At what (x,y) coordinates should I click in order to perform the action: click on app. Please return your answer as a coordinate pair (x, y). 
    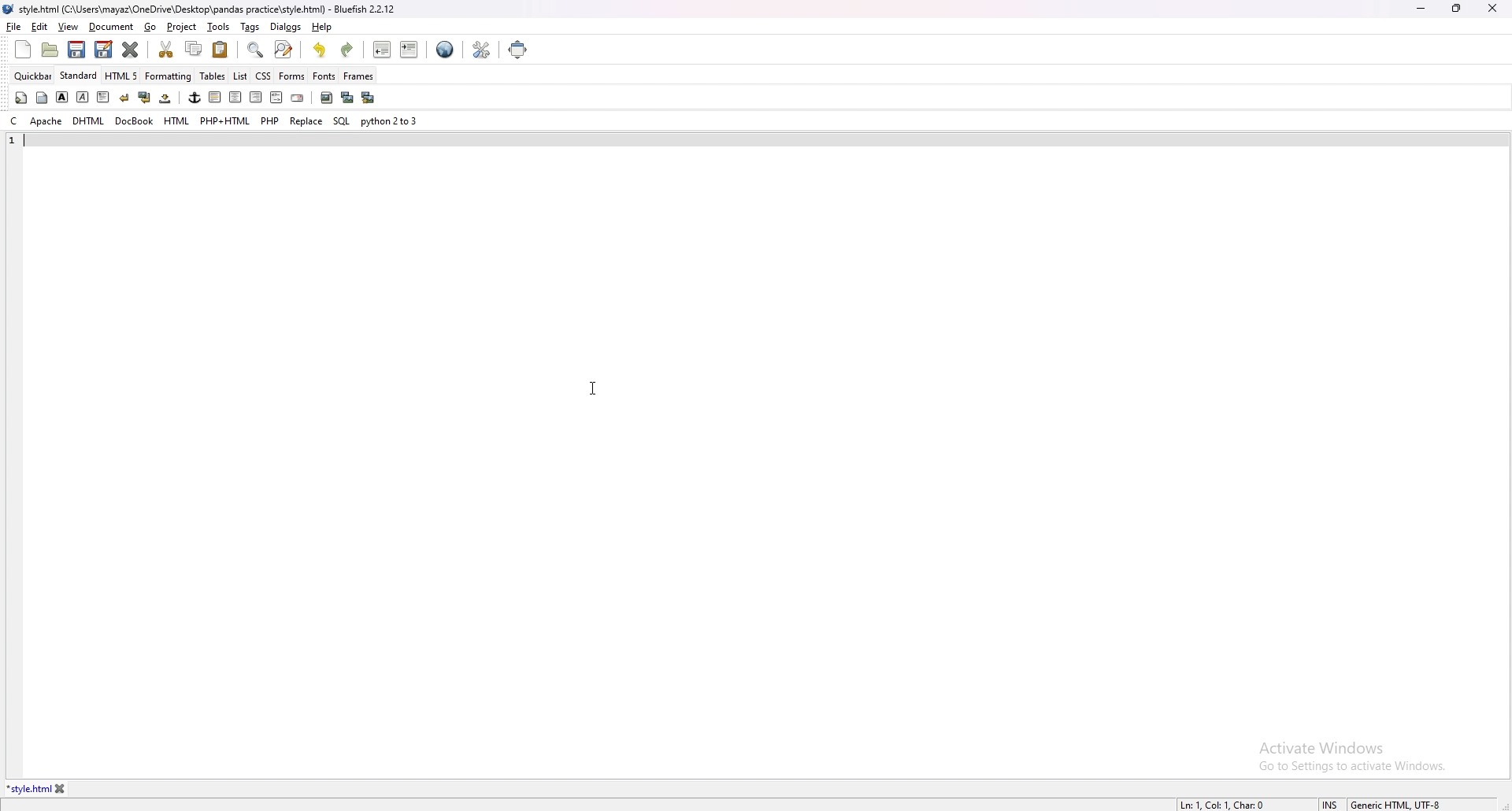
    Looking at the image, I should click on (204, 8).